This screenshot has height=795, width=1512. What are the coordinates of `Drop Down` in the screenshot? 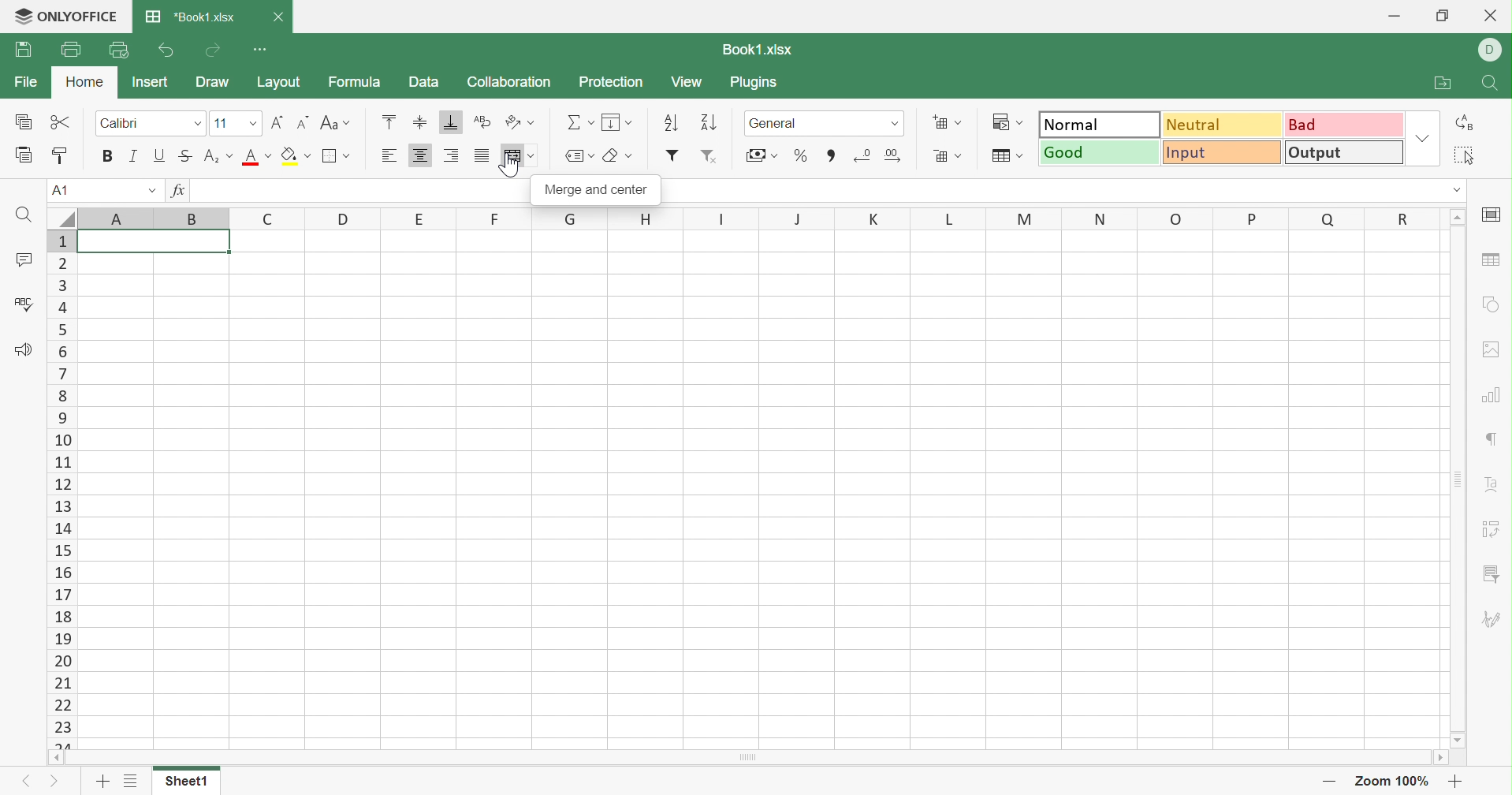 It's located at (1424, 139).